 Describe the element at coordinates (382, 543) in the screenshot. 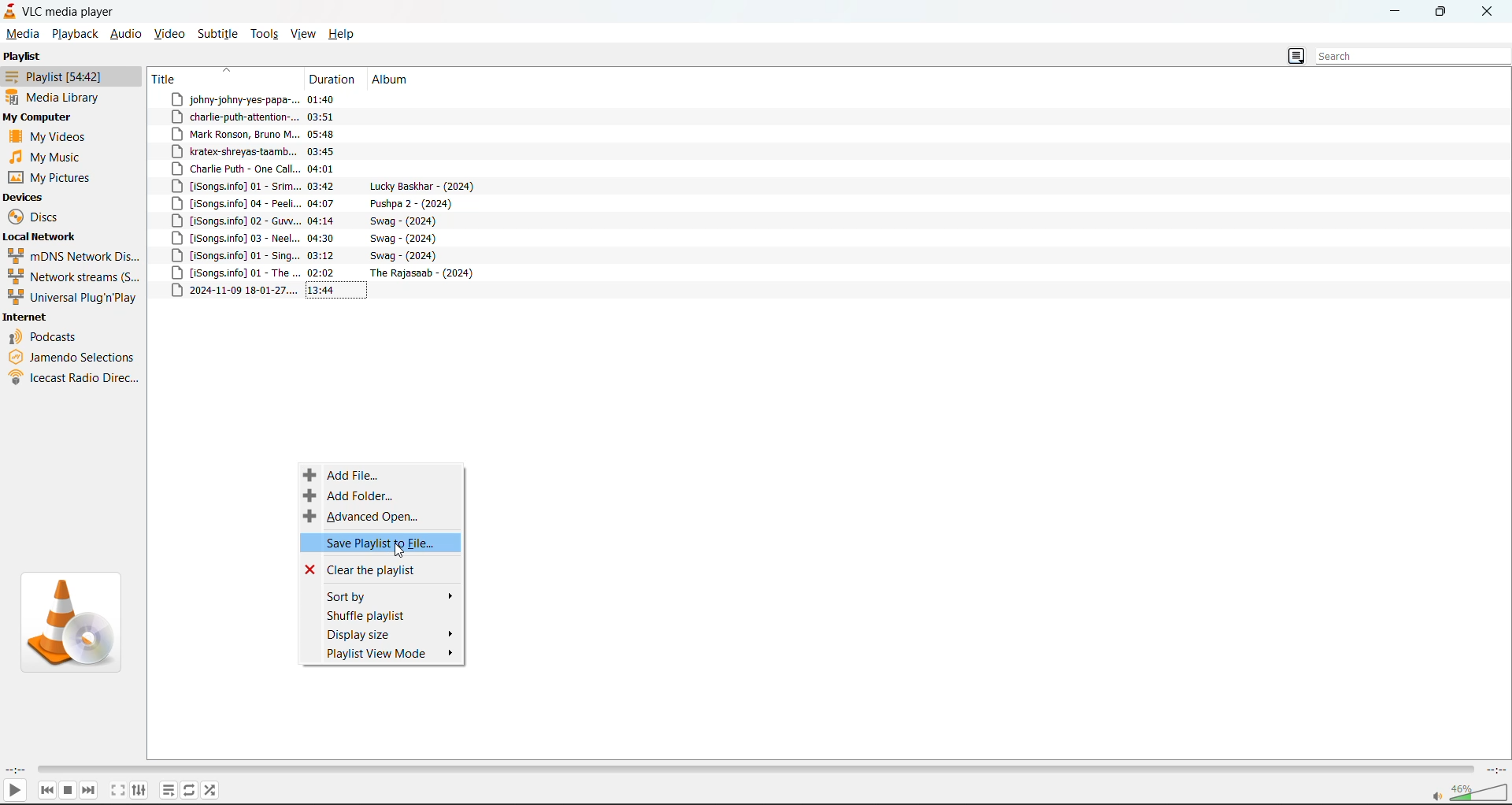

I see `save playlist to file` at that location.